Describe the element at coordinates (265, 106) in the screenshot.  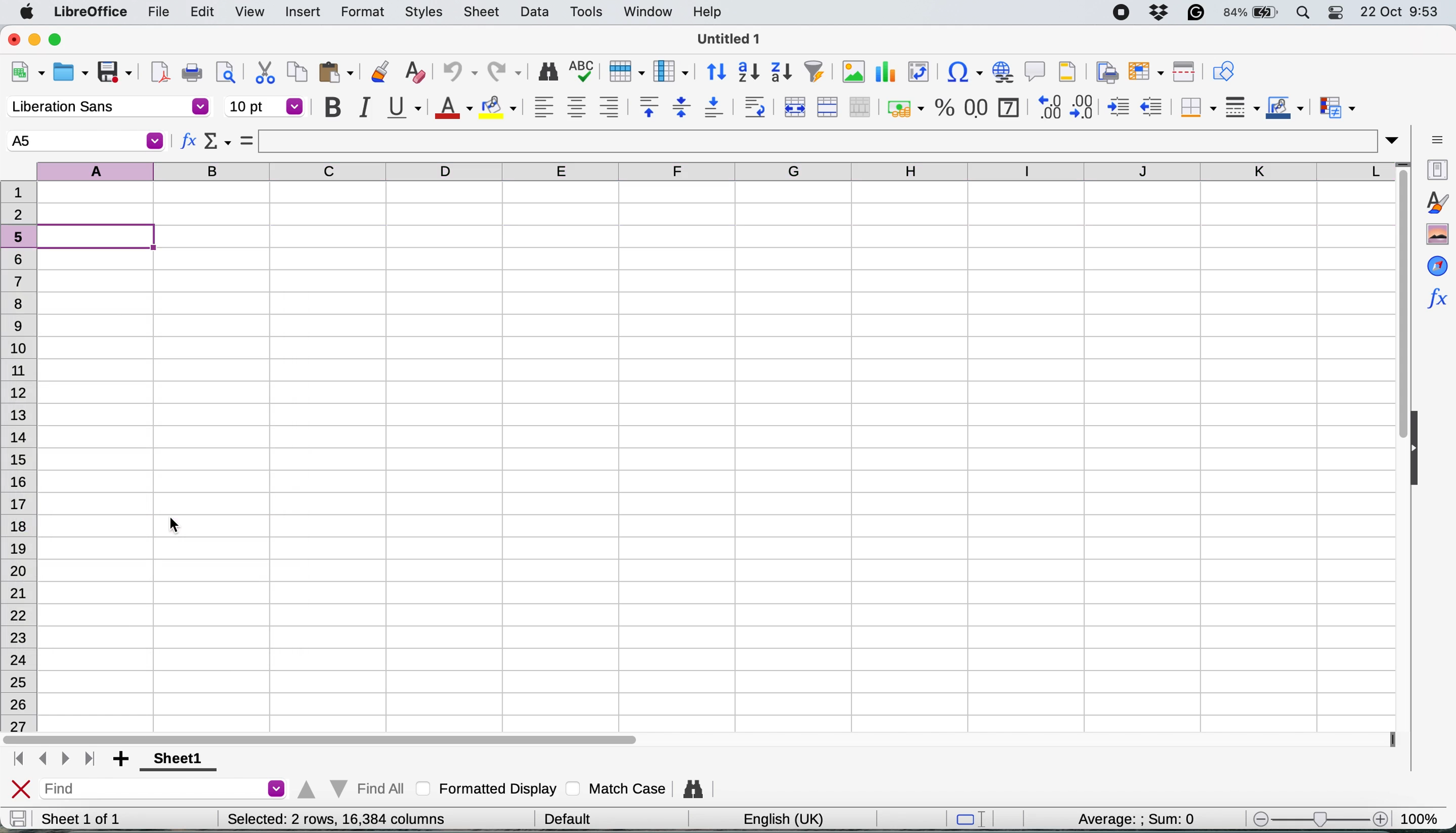
I see `font size` at that location.